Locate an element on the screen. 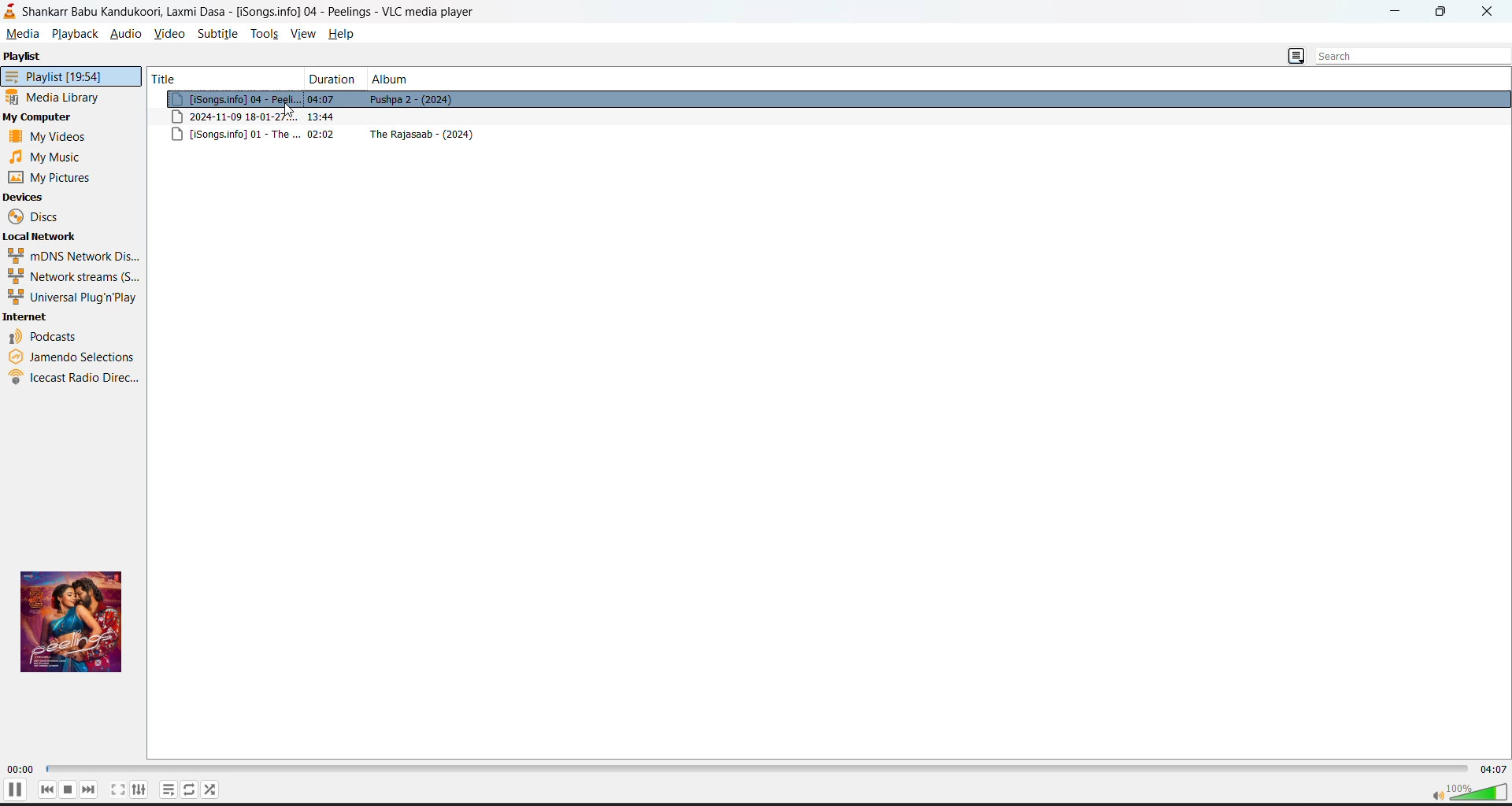 This screenshot has height=806, width=1512. minimize is located at coordinates (1401, 13).